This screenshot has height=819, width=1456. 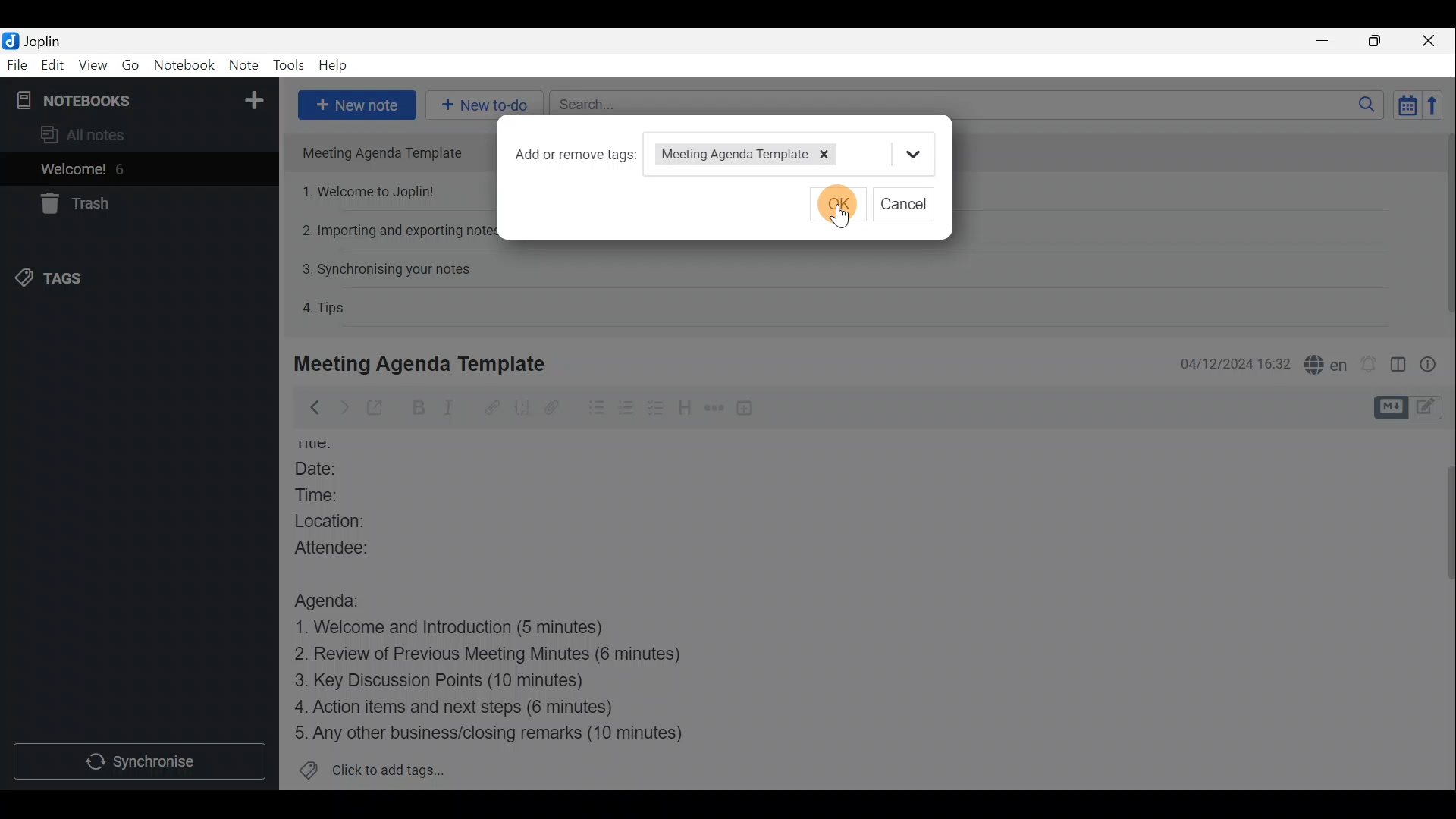 What do you see at coordinates (716, 410) in the screenshot?
I see `Horizontal rule` at bounding box center [716, 410].